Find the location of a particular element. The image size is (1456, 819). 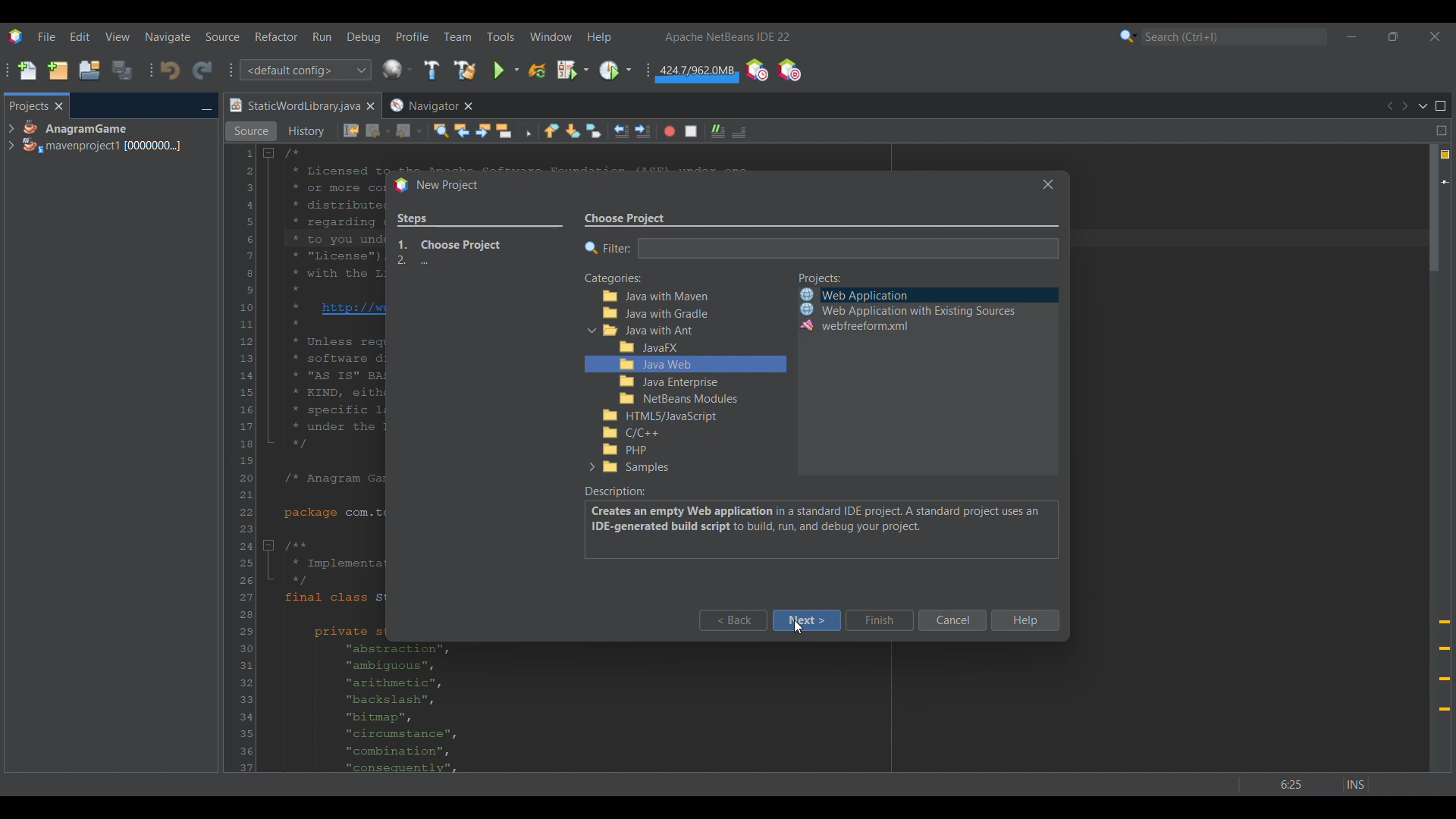

Software logo is located at coordinates (15, 36).